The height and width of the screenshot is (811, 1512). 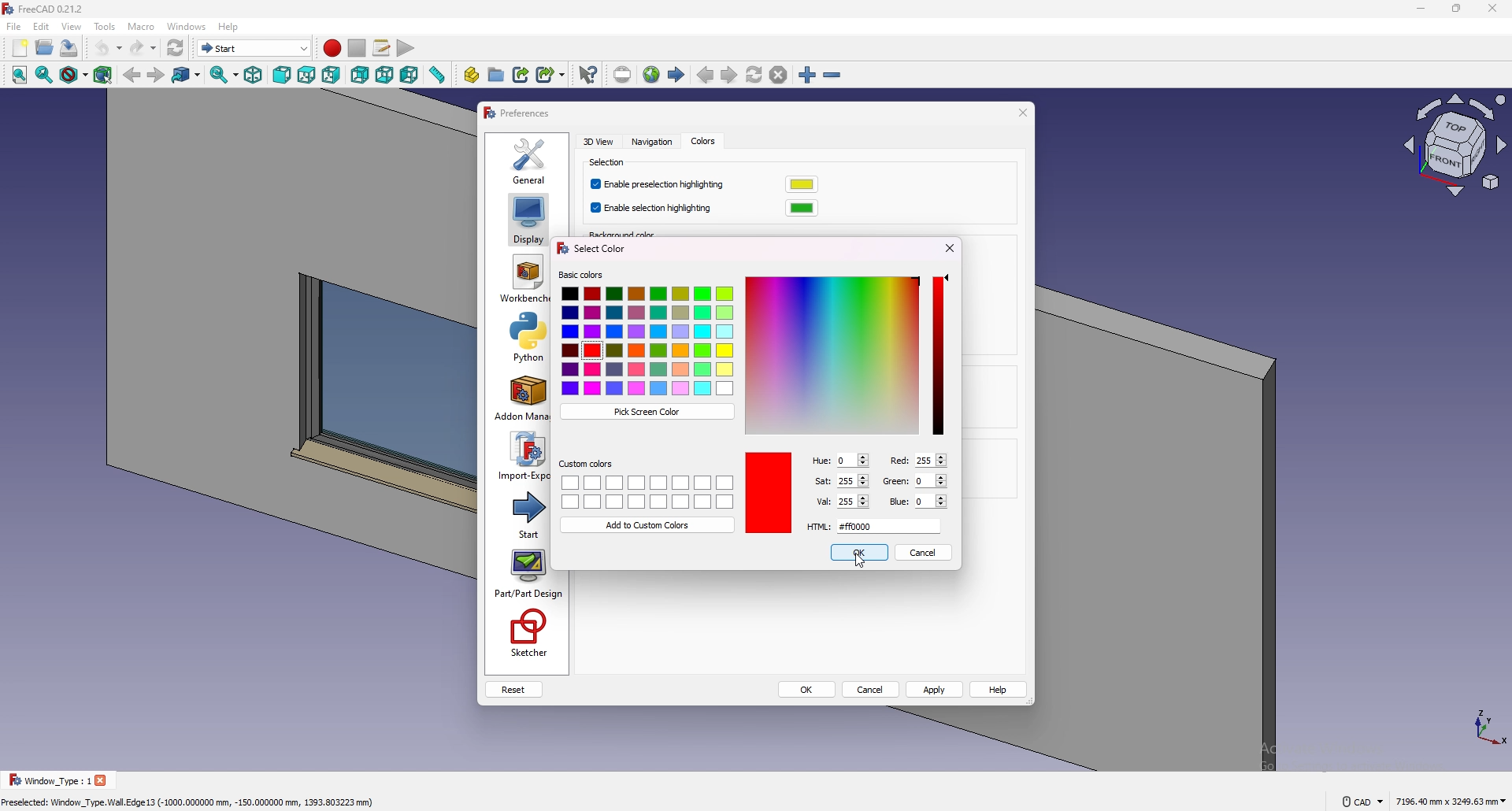 What do you see at coordinates (1456, 148) in the screenshot?
I see `view` at bounding box center [1456, 148].